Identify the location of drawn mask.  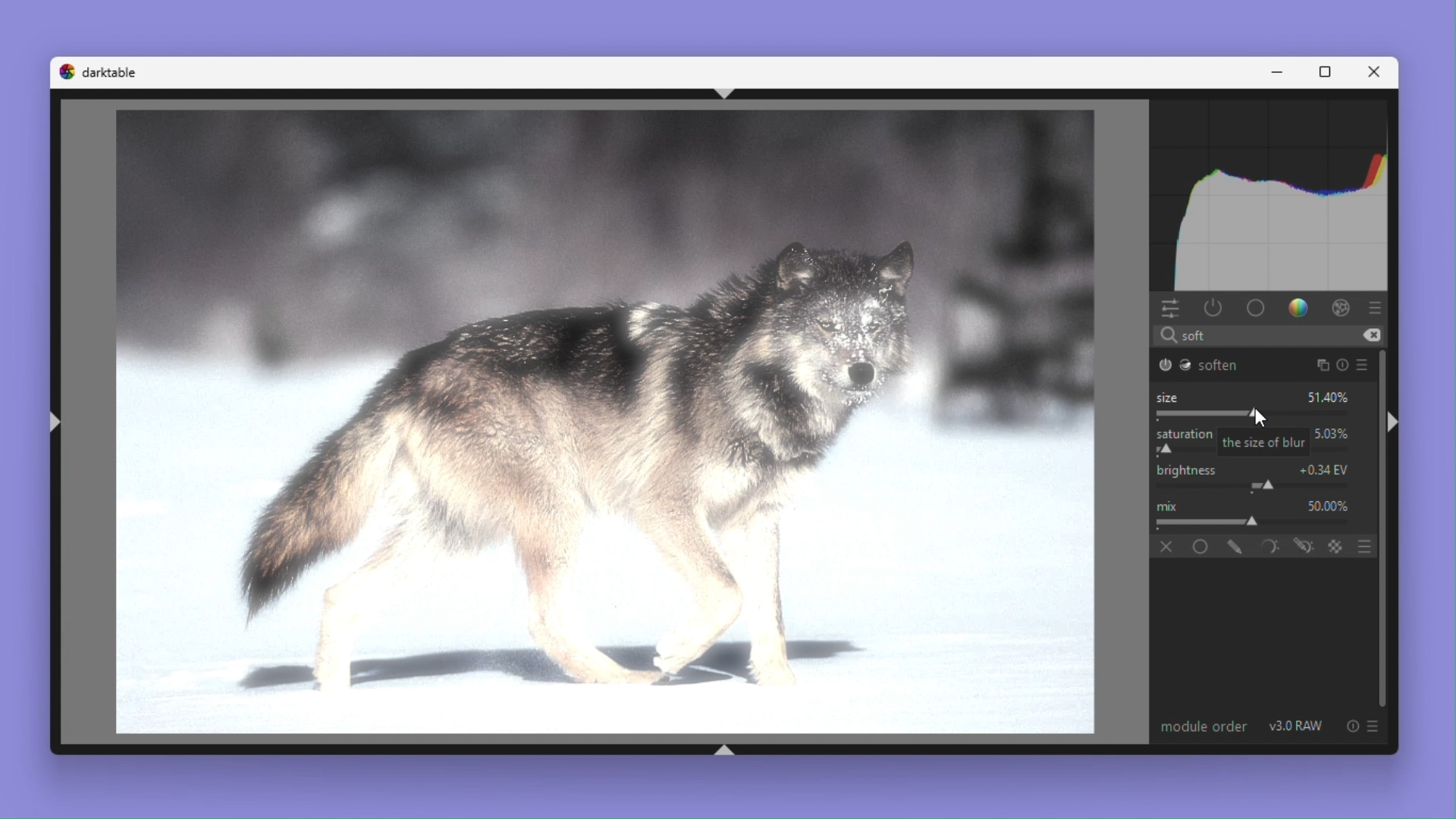
(1235, 546).